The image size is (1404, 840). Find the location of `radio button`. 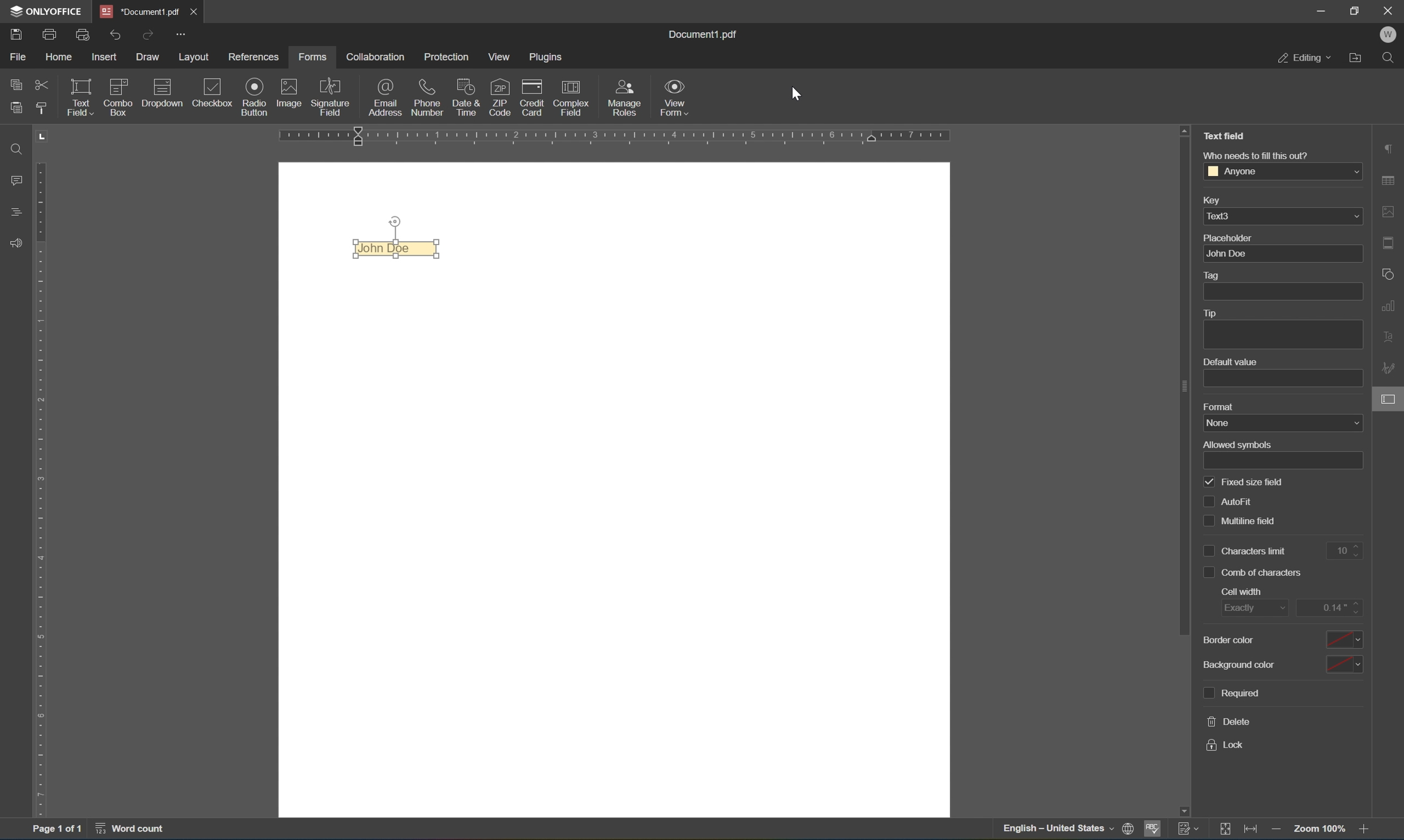

radio button is located at coordinates (255, 96).